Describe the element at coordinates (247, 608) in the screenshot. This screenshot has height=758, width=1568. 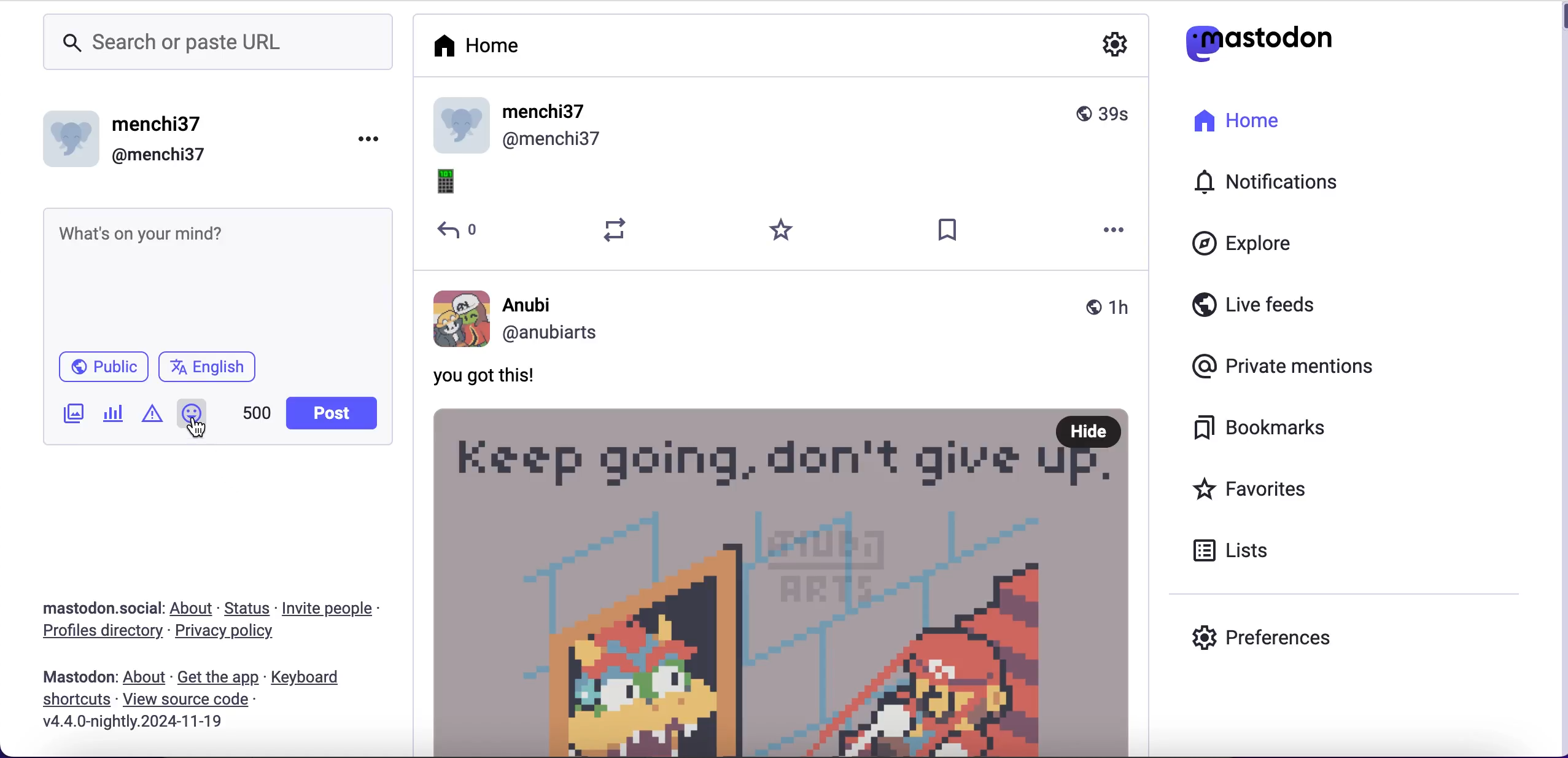
I see `status` at that location.